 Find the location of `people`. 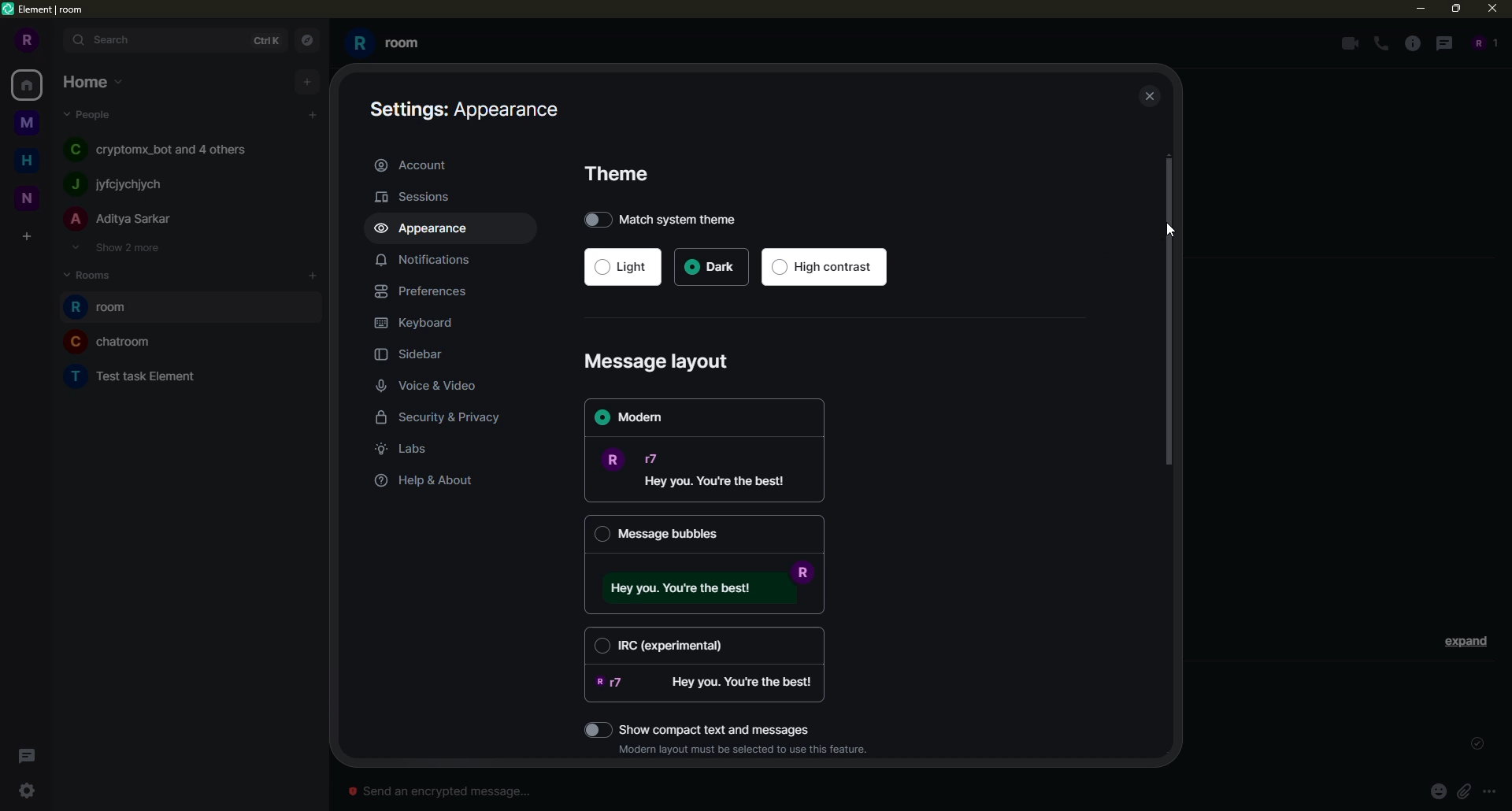

people is located at coordinates (163, 148).